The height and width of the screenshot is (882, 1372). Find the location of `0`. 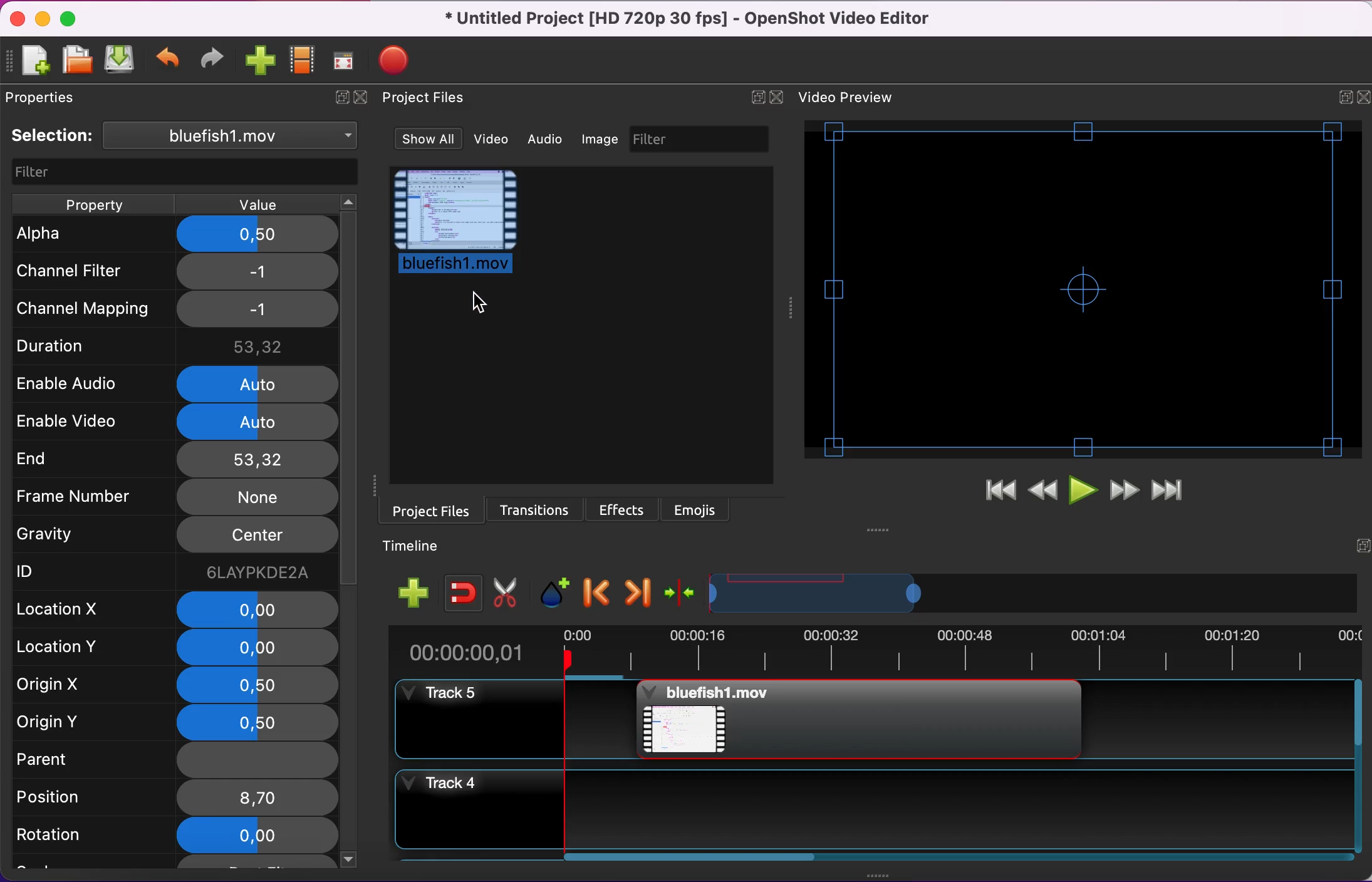

0 is located at coordinates (259, 648).